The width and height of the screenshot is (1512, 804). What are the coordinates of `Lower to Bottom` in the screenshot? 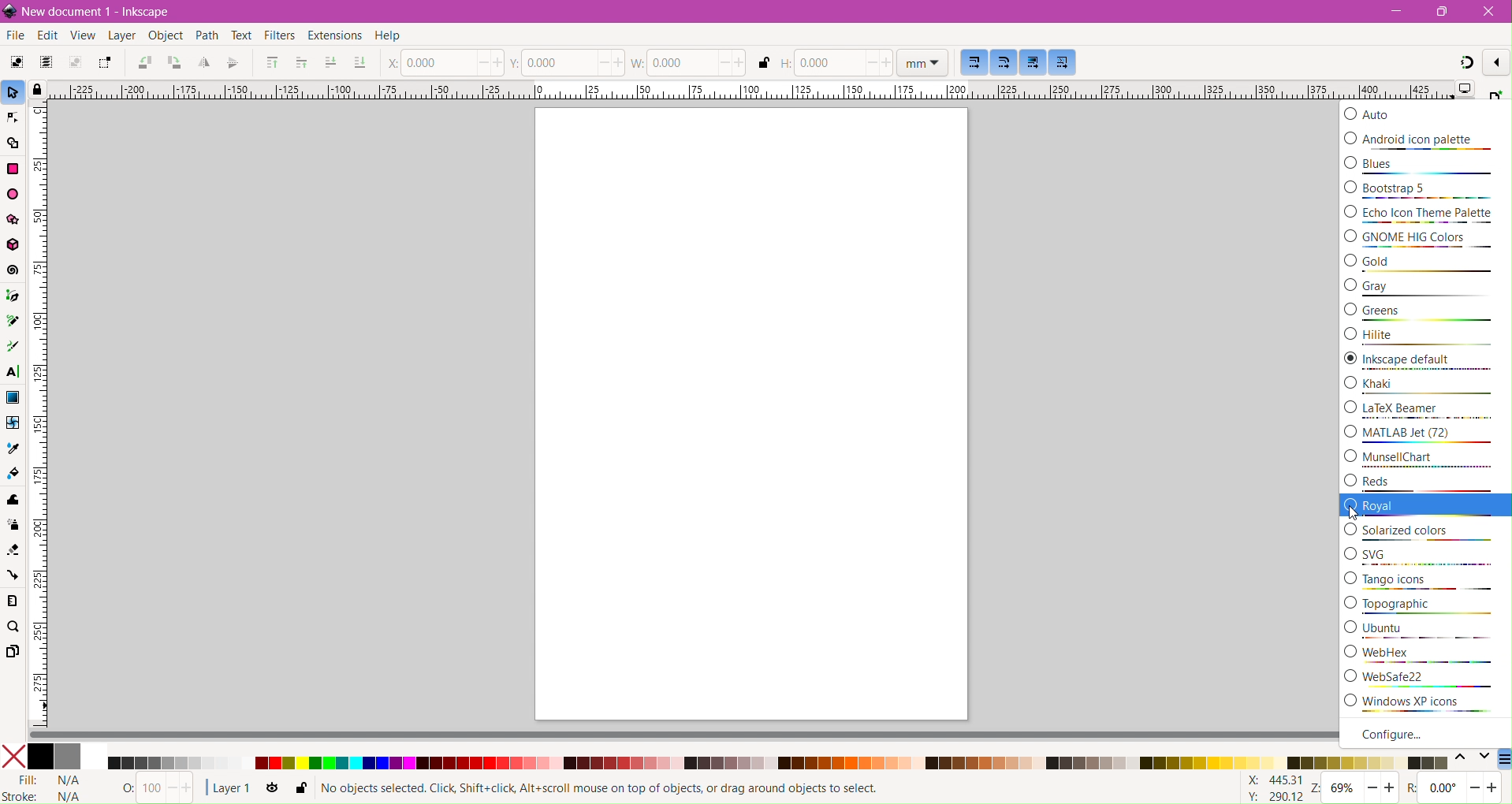 It's located at (359, 63).